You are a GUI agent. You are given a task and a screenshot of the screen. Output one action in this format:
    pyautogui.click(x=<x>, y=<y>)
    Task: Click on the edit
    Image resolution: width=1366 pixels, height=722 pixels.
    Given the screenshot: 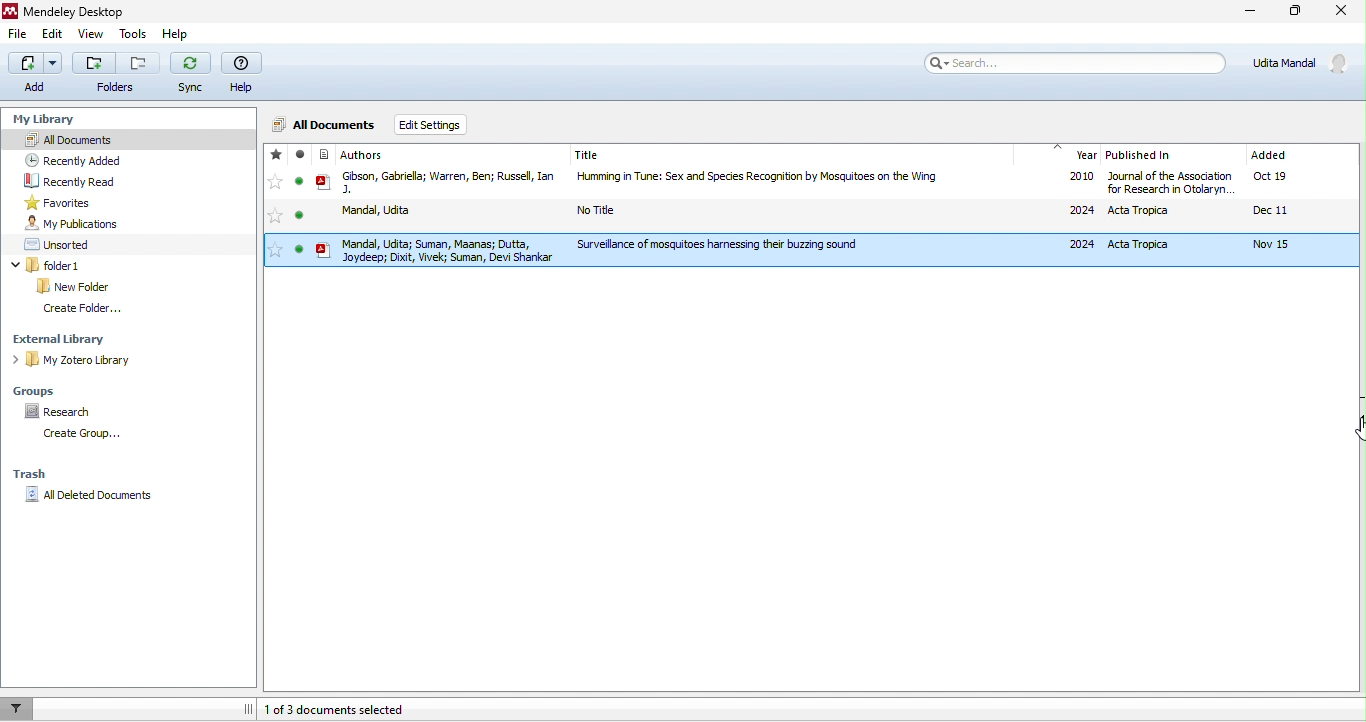 What is the action you would take?
    pyautogui.click(x=53, y=36)
    